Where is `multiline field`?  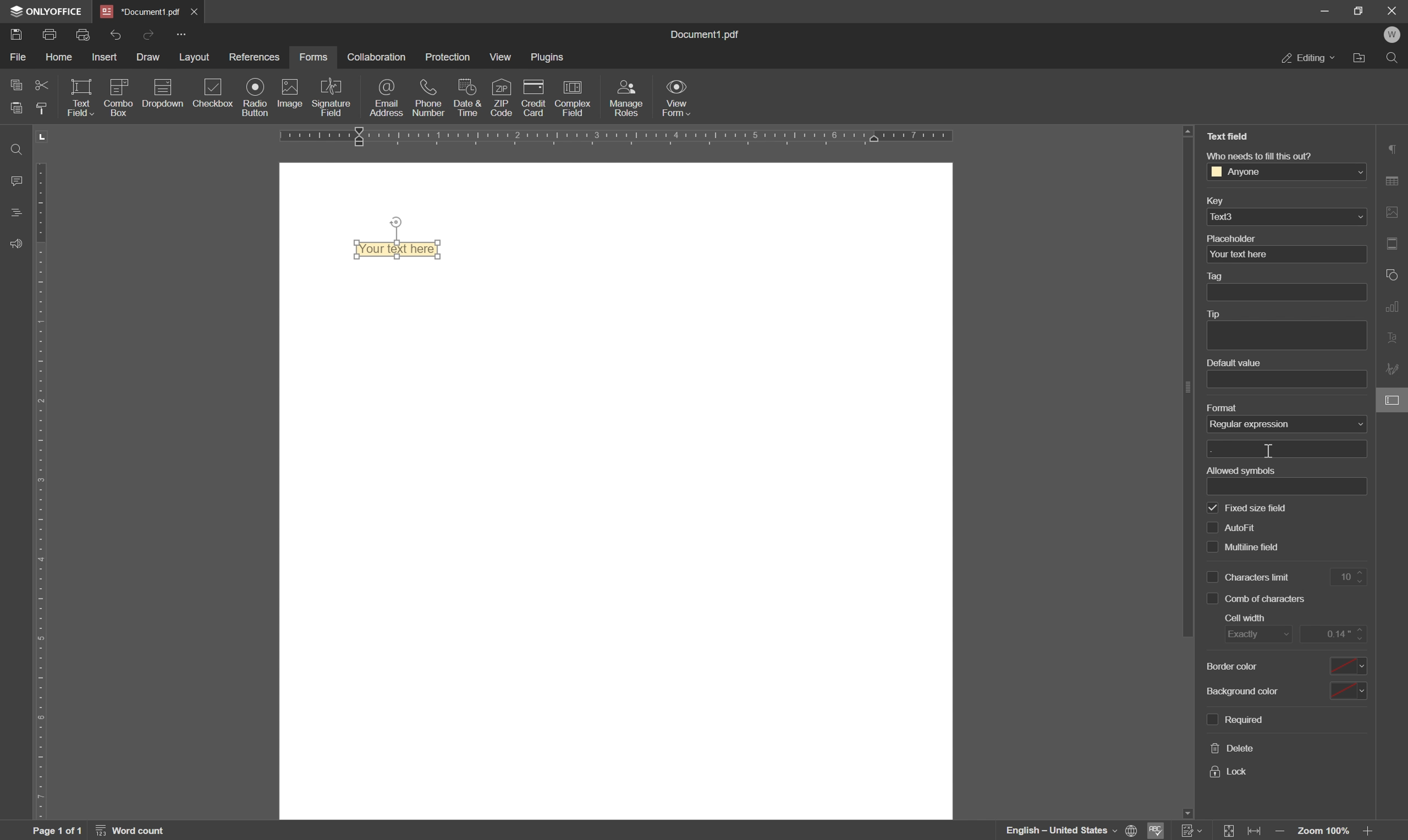 multiline field is located at coordinates (1253, 523).